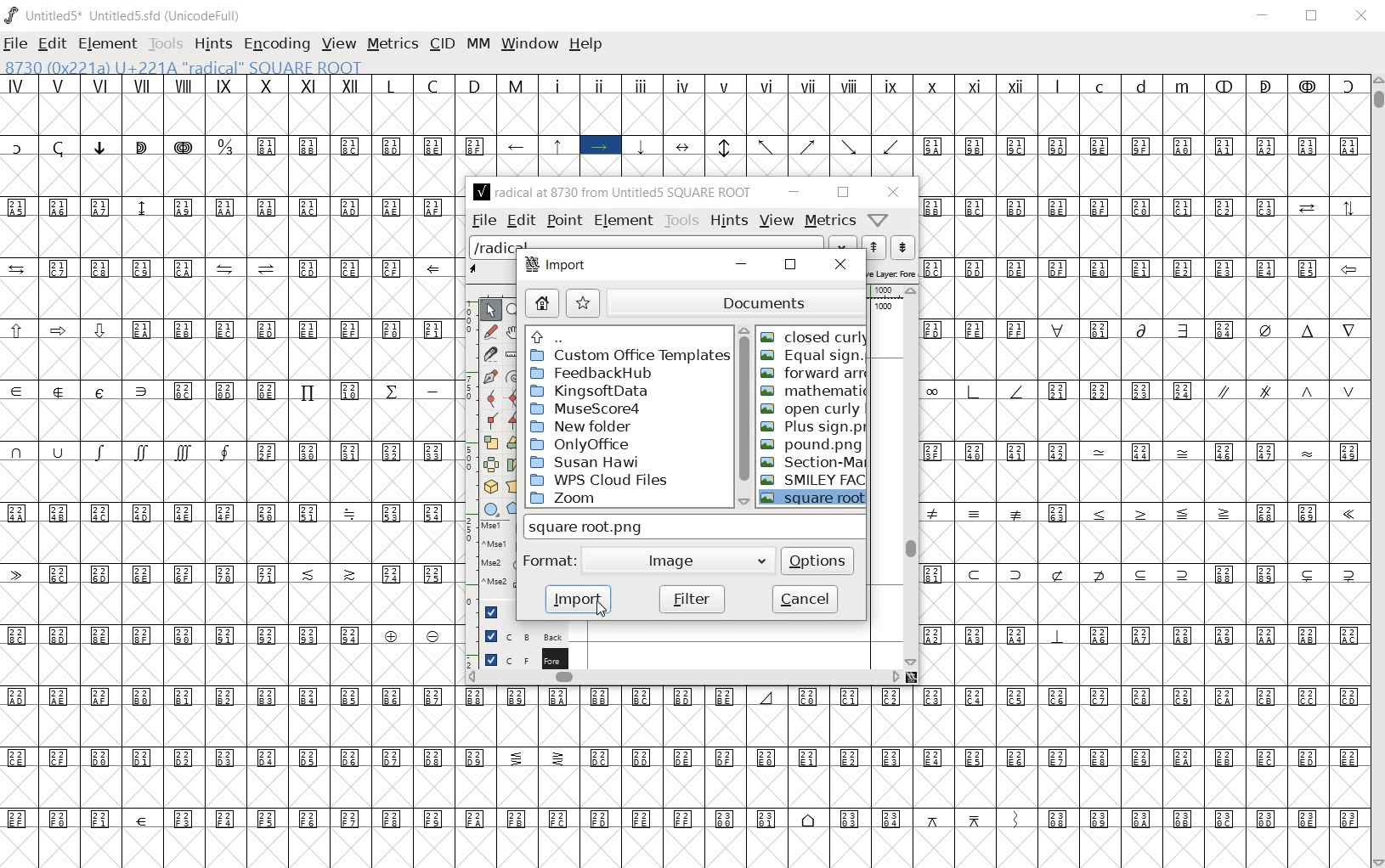 This screenshot has height=868, width=1385. Describe the element at coordinates (663, 245) in the screenshot. I see `load word list` at that location.